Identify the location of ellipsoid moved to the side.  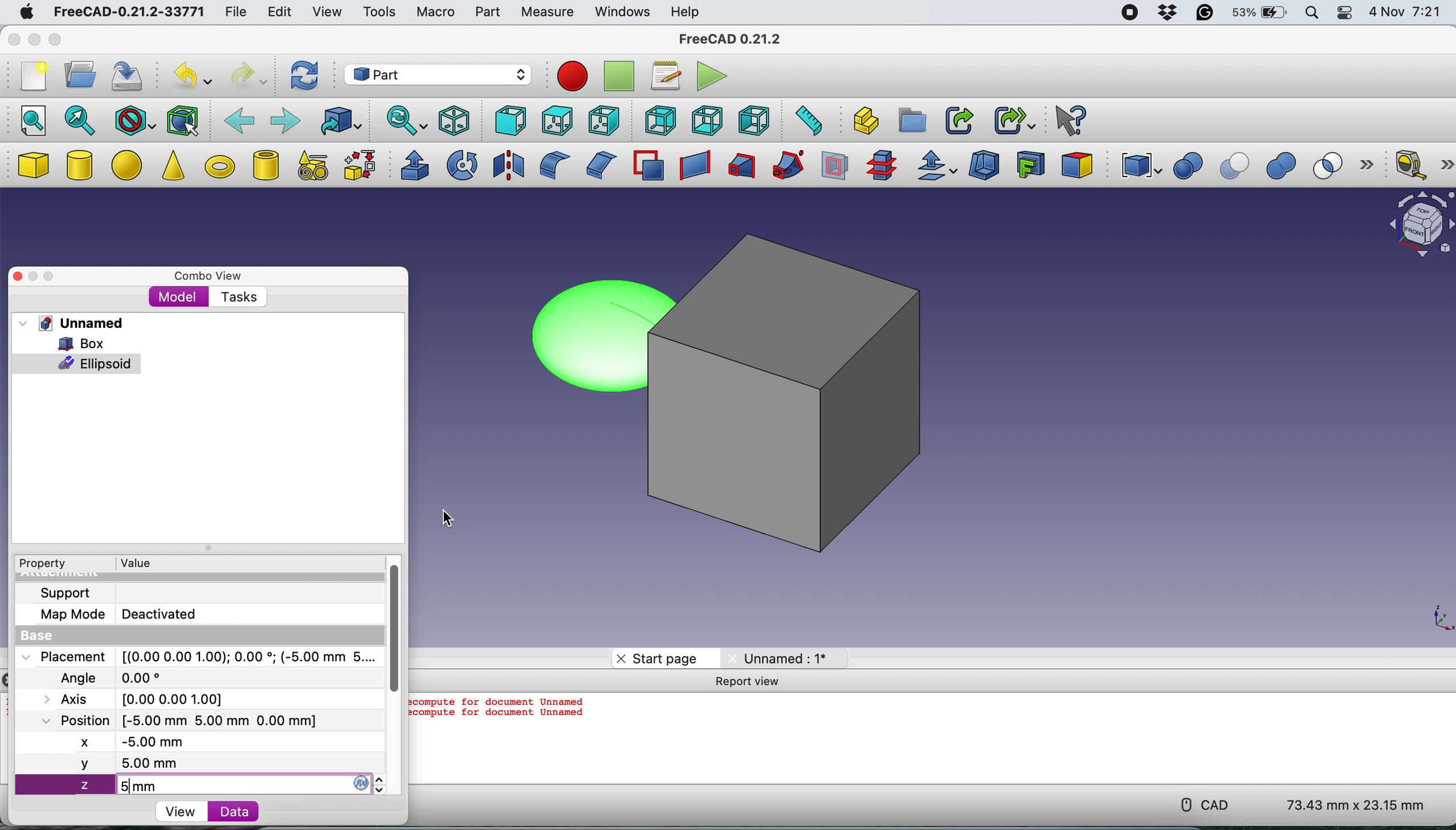
(586, 337).